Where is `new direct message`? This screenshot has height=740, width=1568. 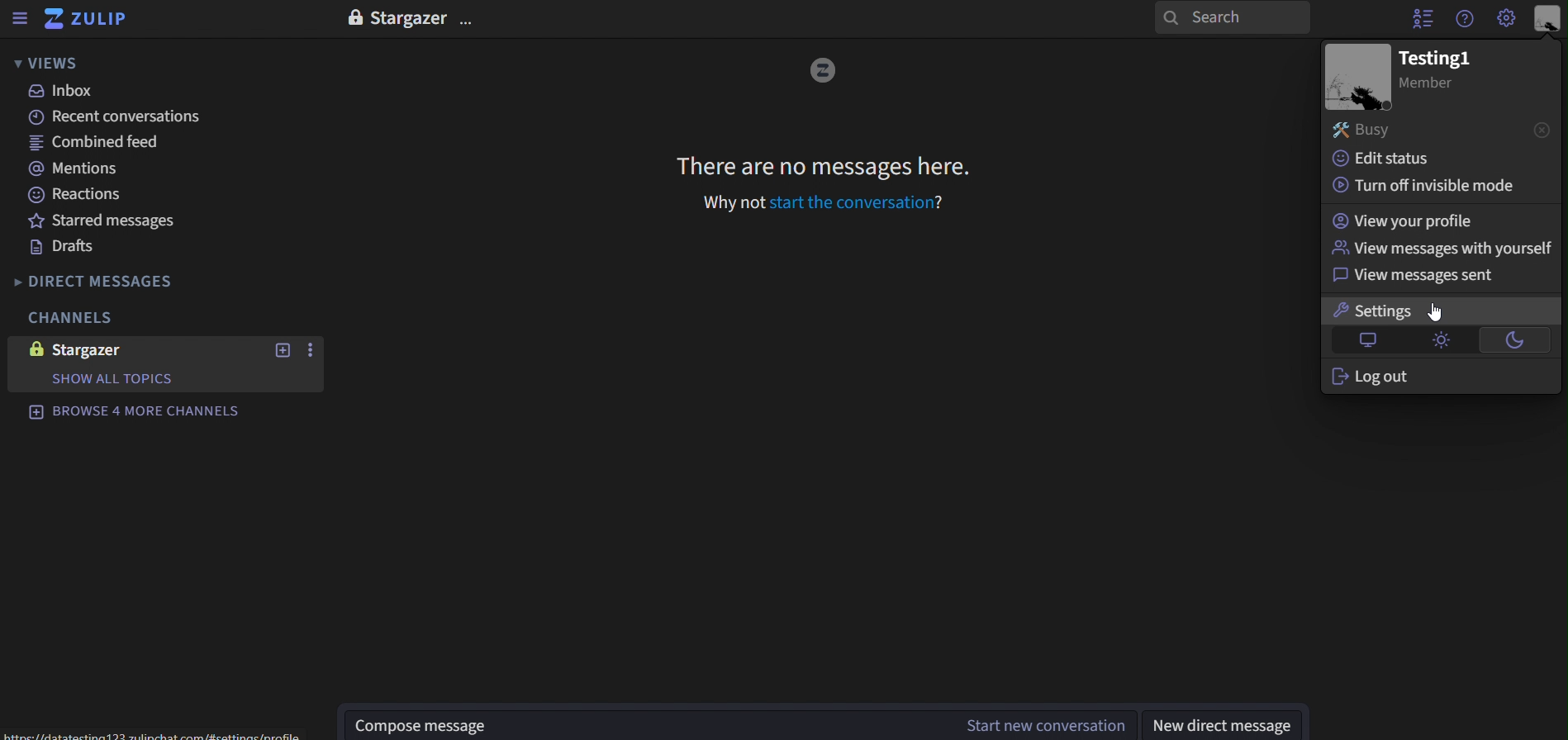
new direct message is located at coordinates (1224, 724).